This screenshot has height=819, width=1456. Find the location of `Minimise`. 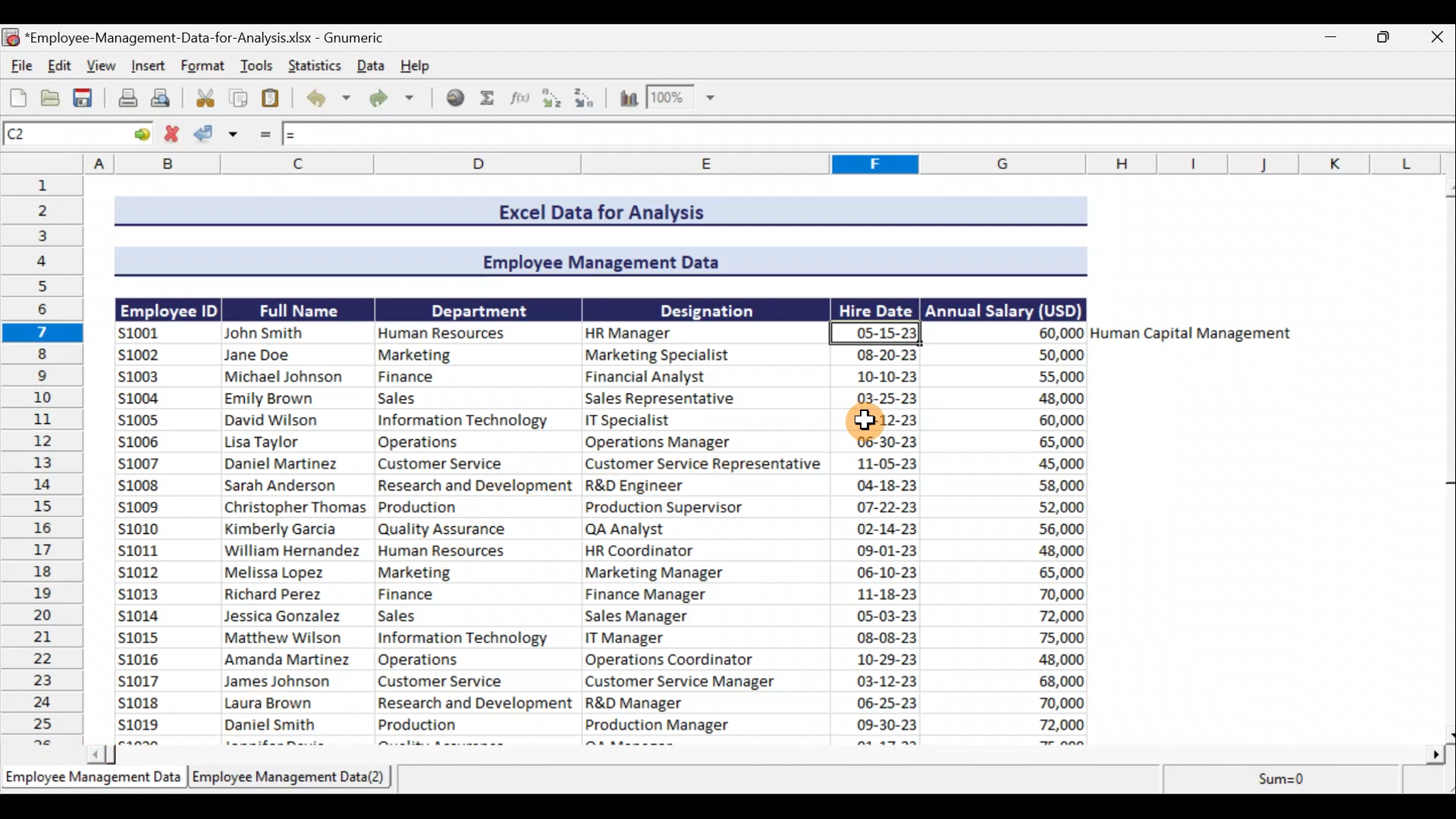

Minimise is located at coordinates (1332, 36).